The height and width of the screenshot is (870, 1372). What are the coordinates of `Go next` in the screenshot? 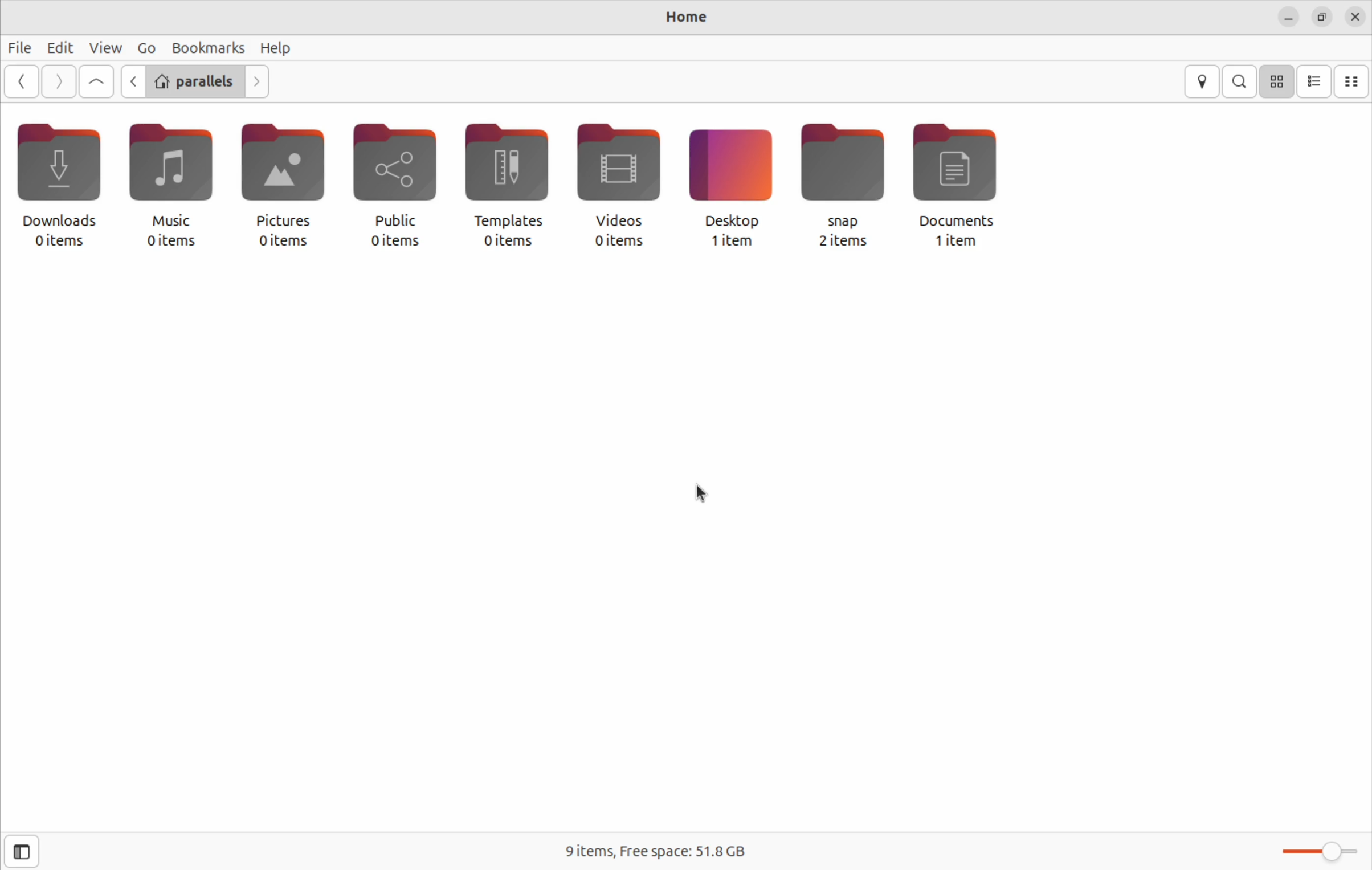 It's located at (59, 80).